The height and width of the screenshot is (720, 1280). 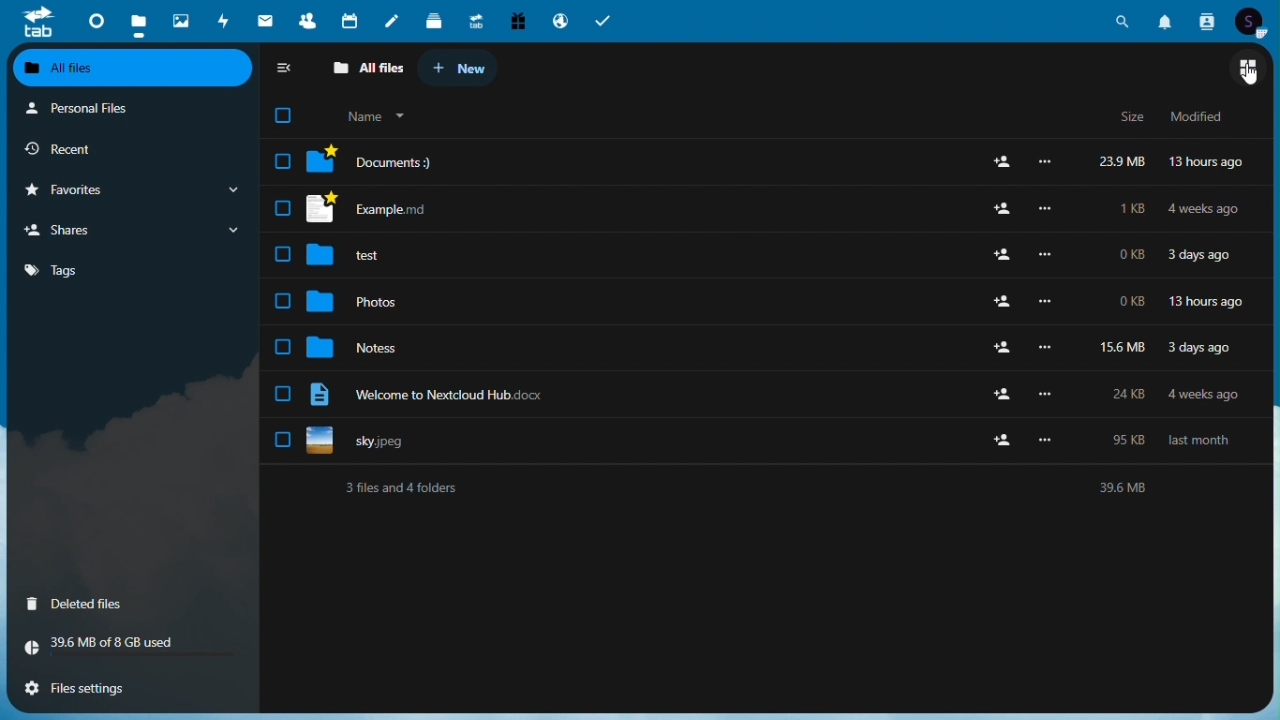 I want to click on mail, so click(x=265, y=18).